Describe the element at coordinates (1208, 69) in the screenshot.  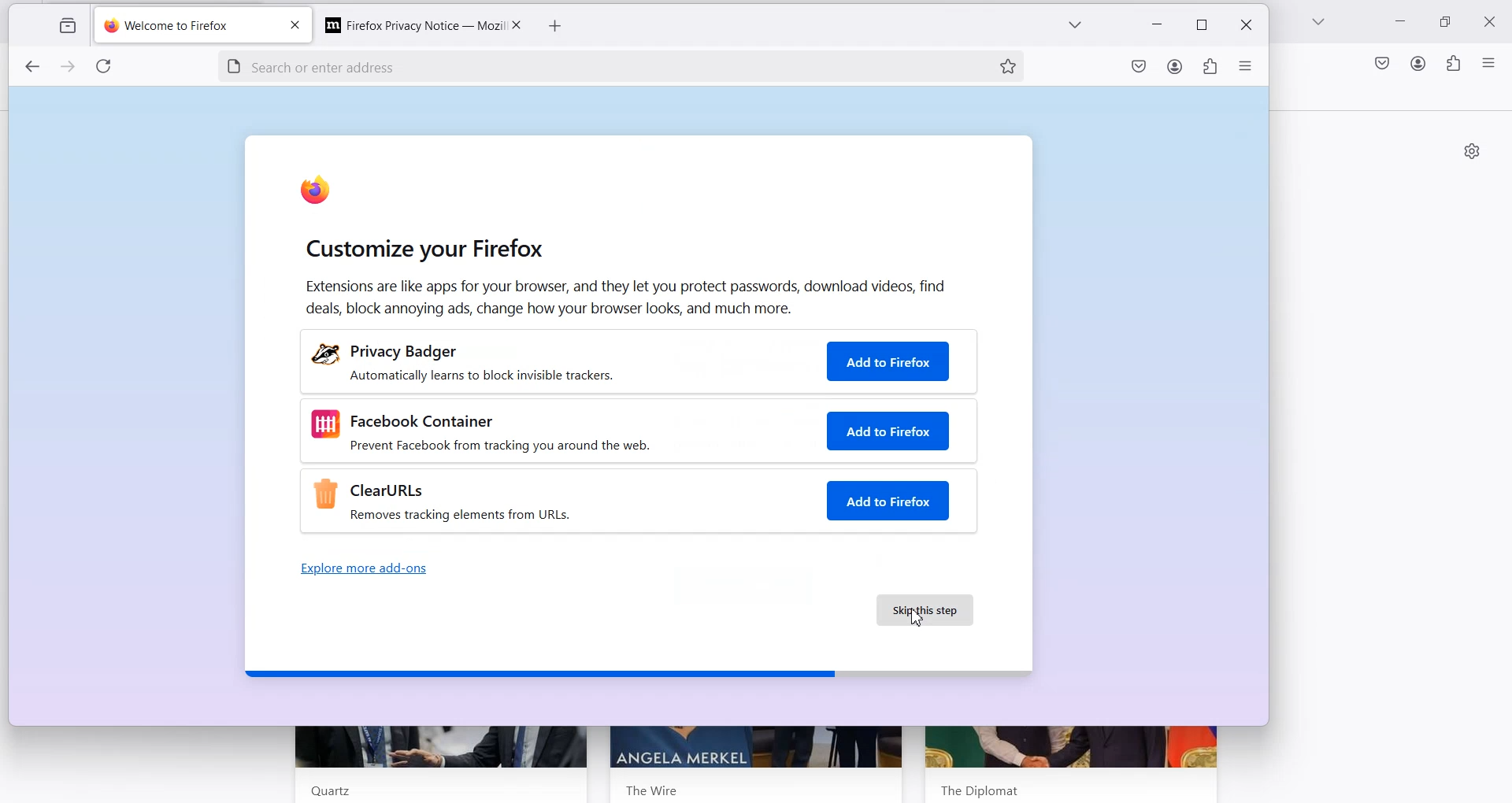
I see `extensions` at that location.